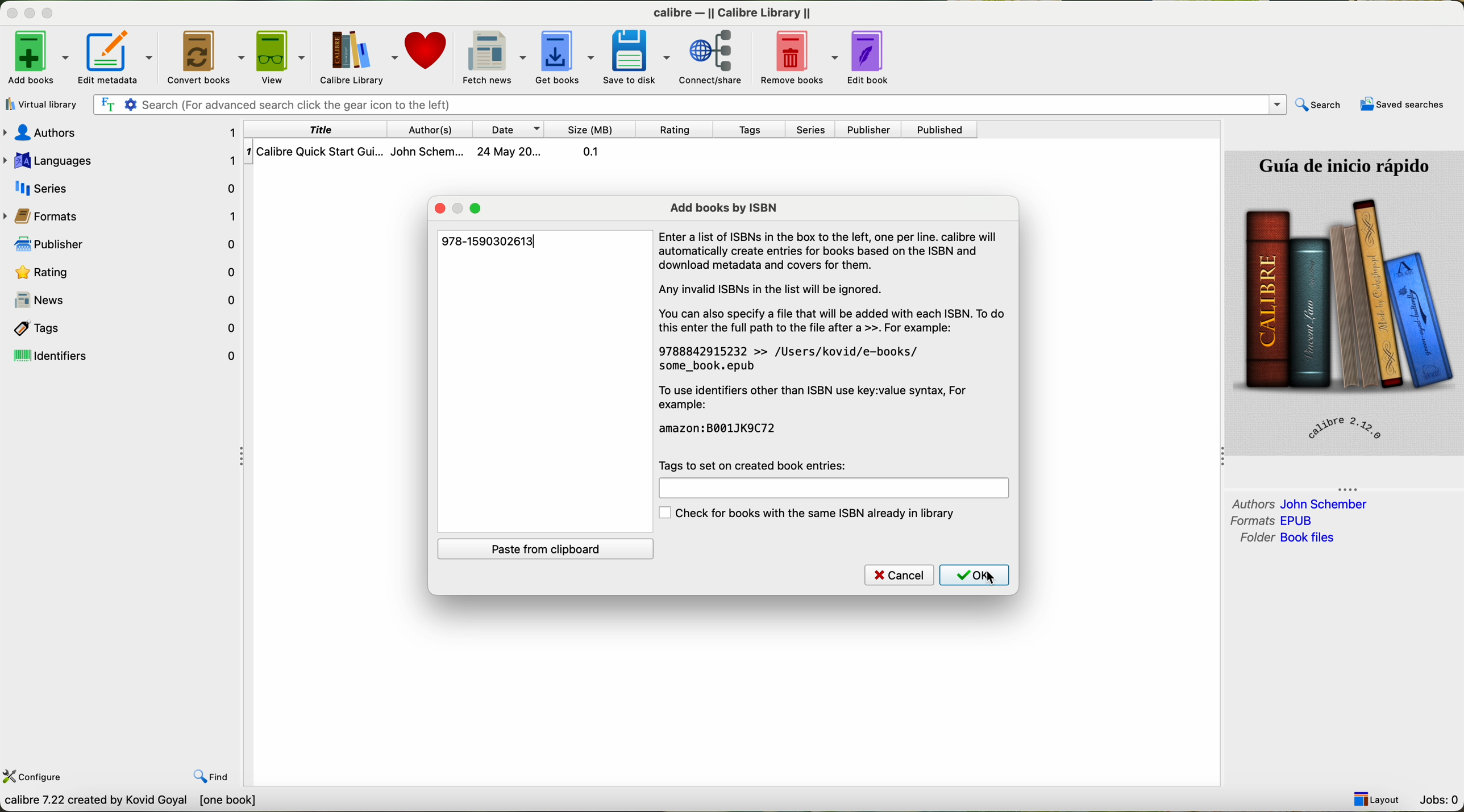  Describe the element at coordinates (818, 514) in the screenshot. I see `check for books with the same ISBN` at that location.